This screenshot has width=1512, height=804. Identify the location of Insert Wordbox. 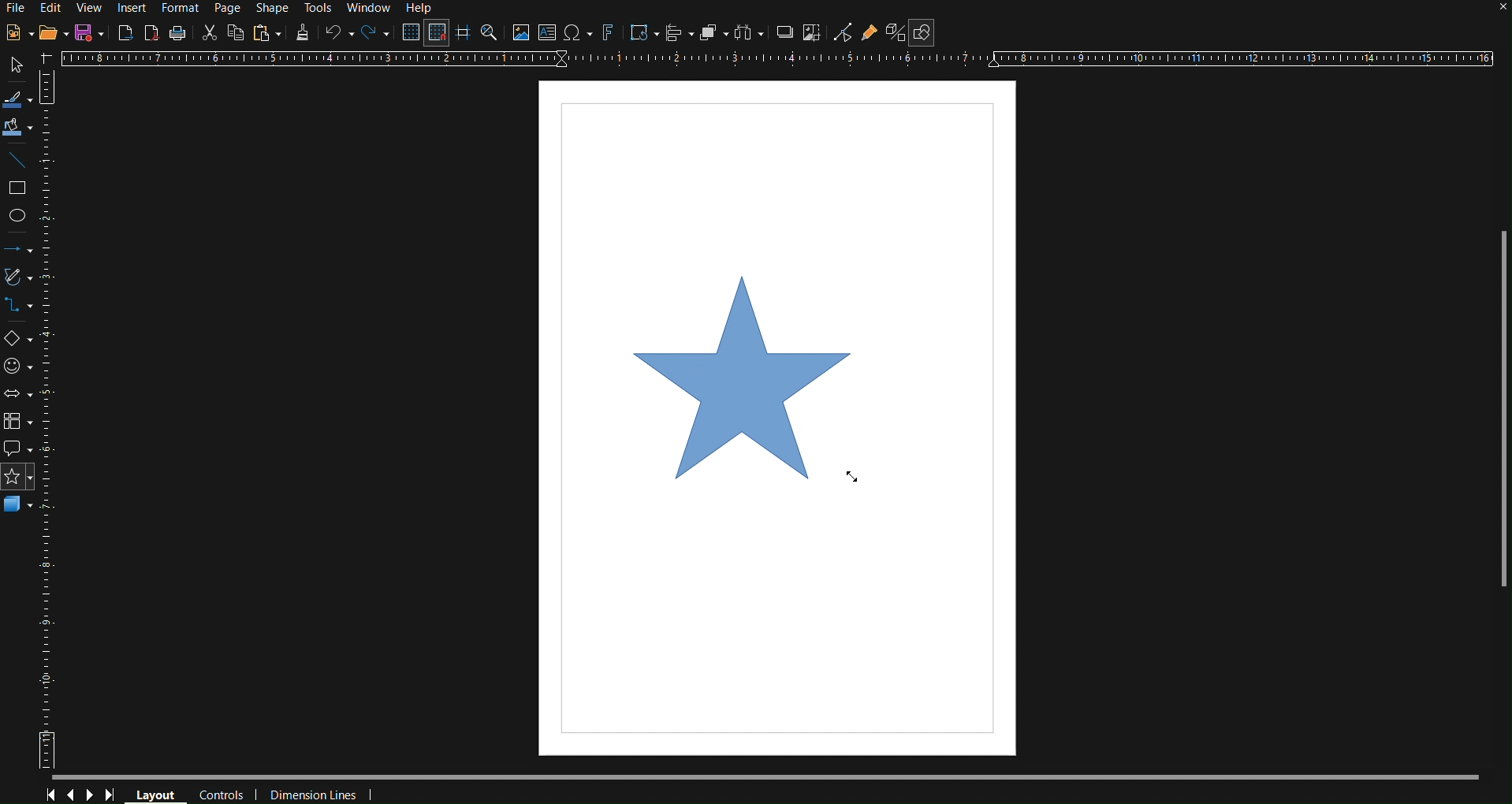
(548, 34).